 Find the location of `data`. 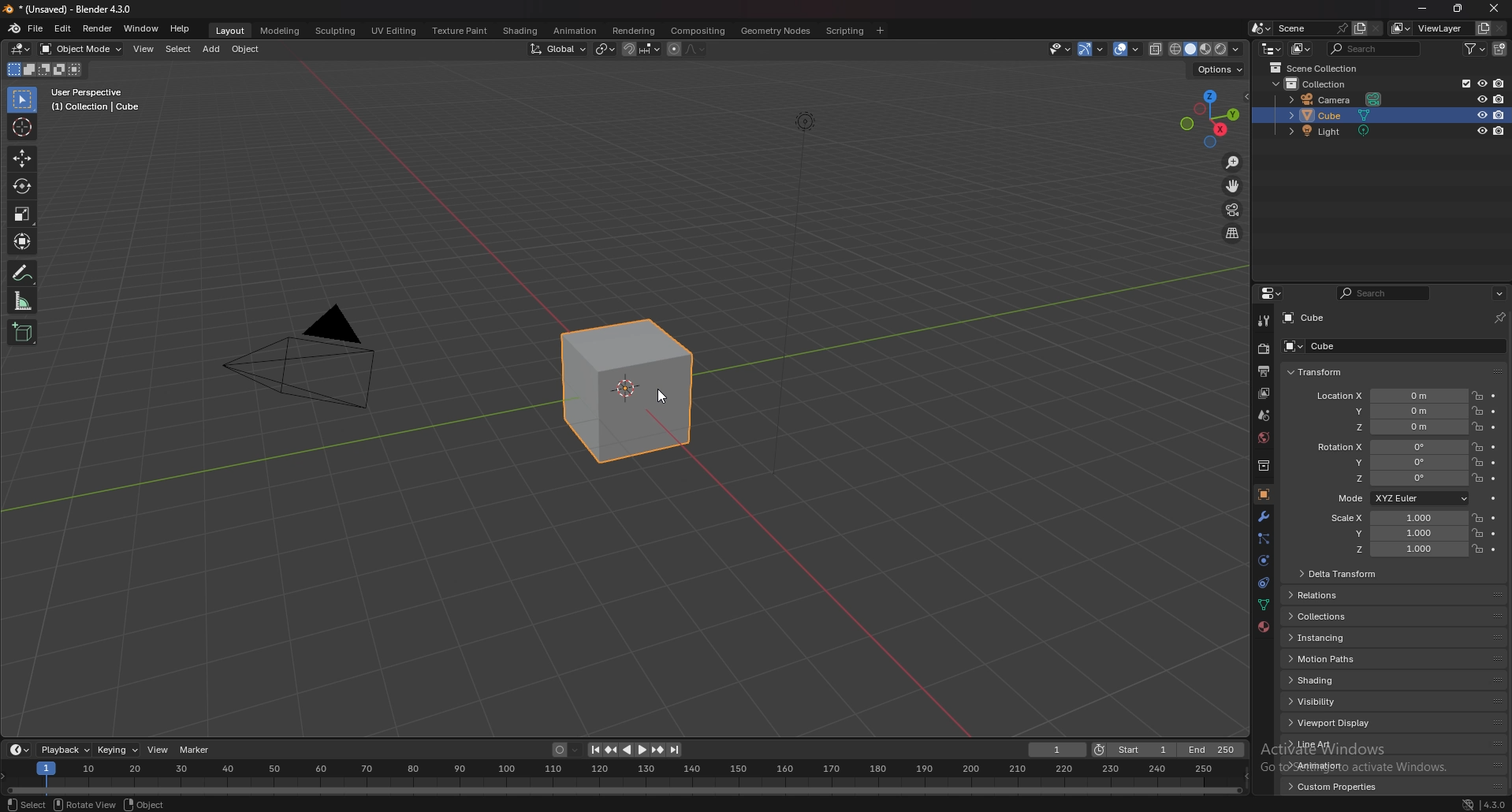

data is located at coordinates (1263, 605).